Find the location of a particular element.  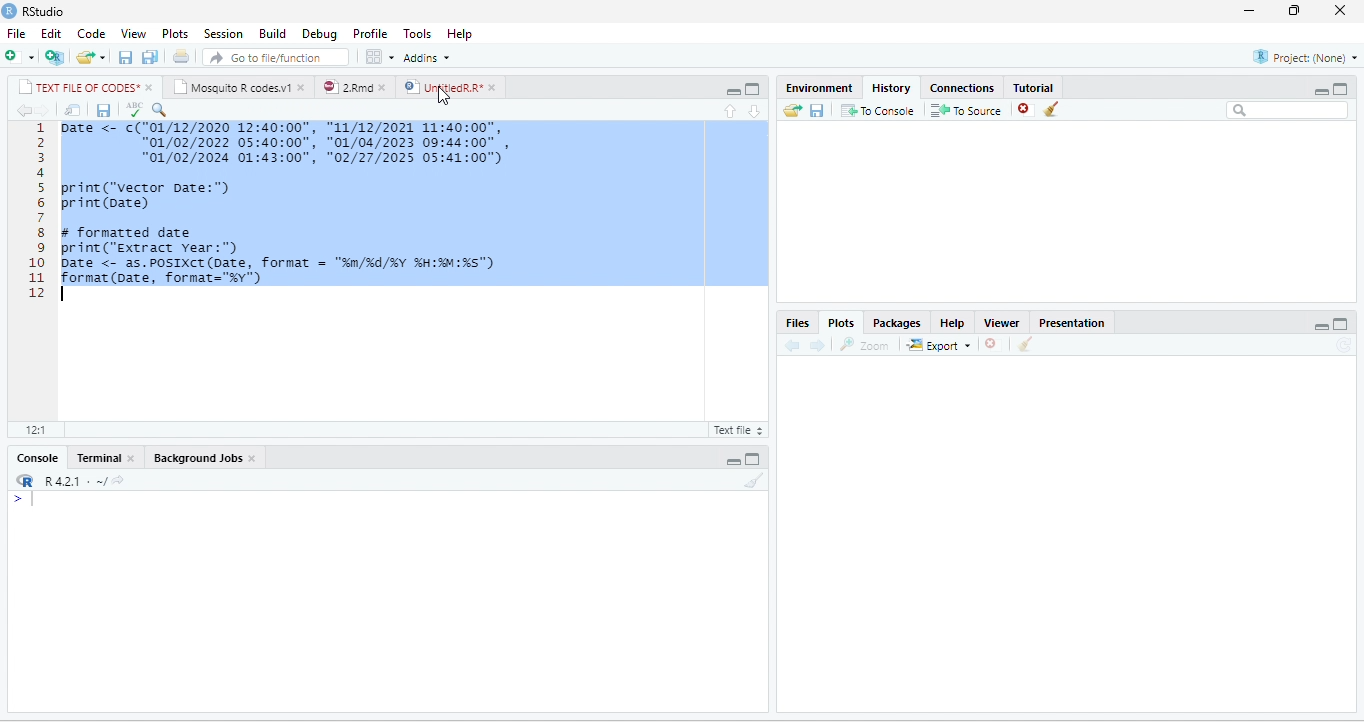

print(“vector Date:")print (Date) is located at coordinates (146, 196).